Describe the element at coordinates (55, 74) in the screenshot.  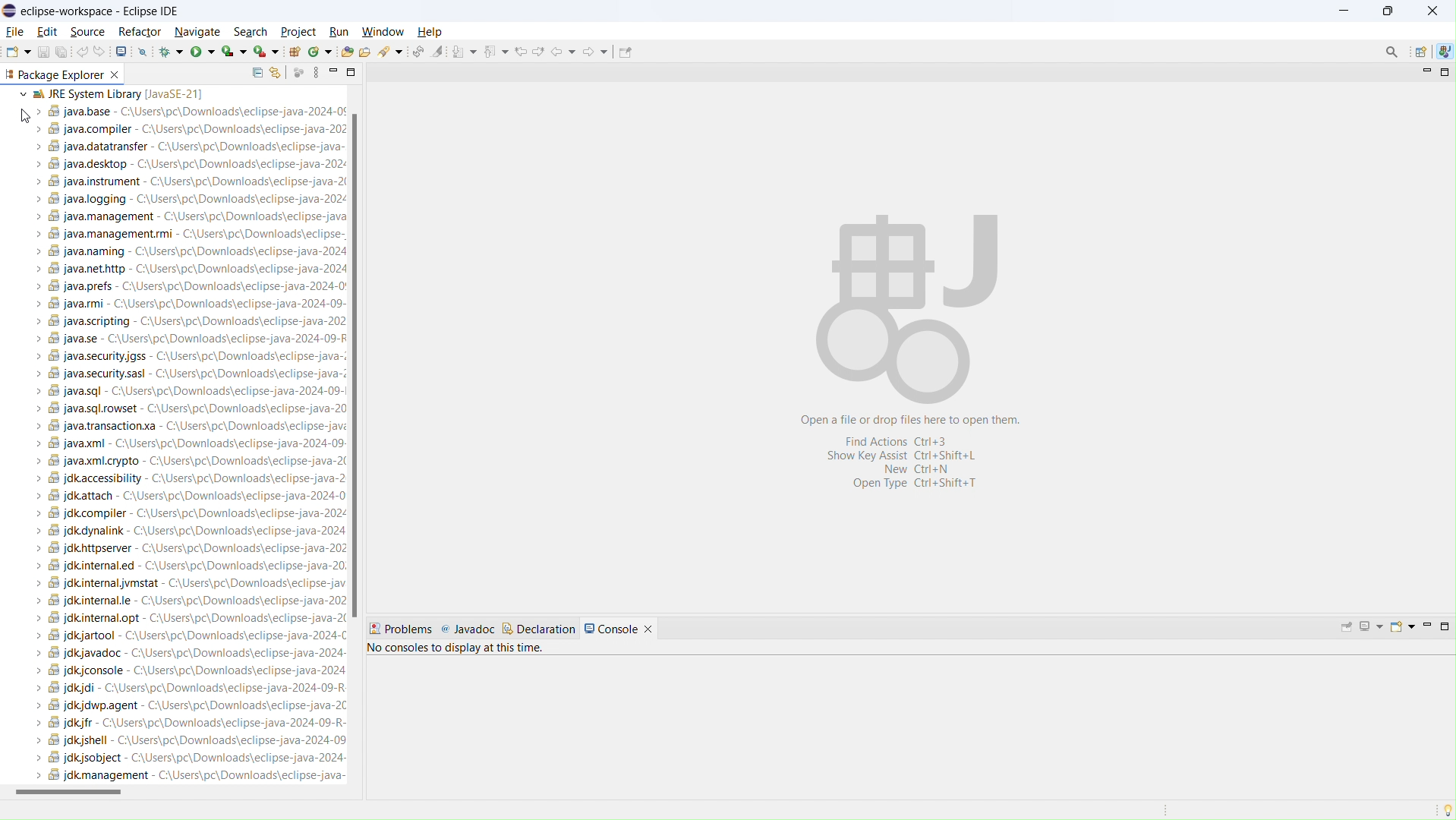
I see `package explorer` at that location.